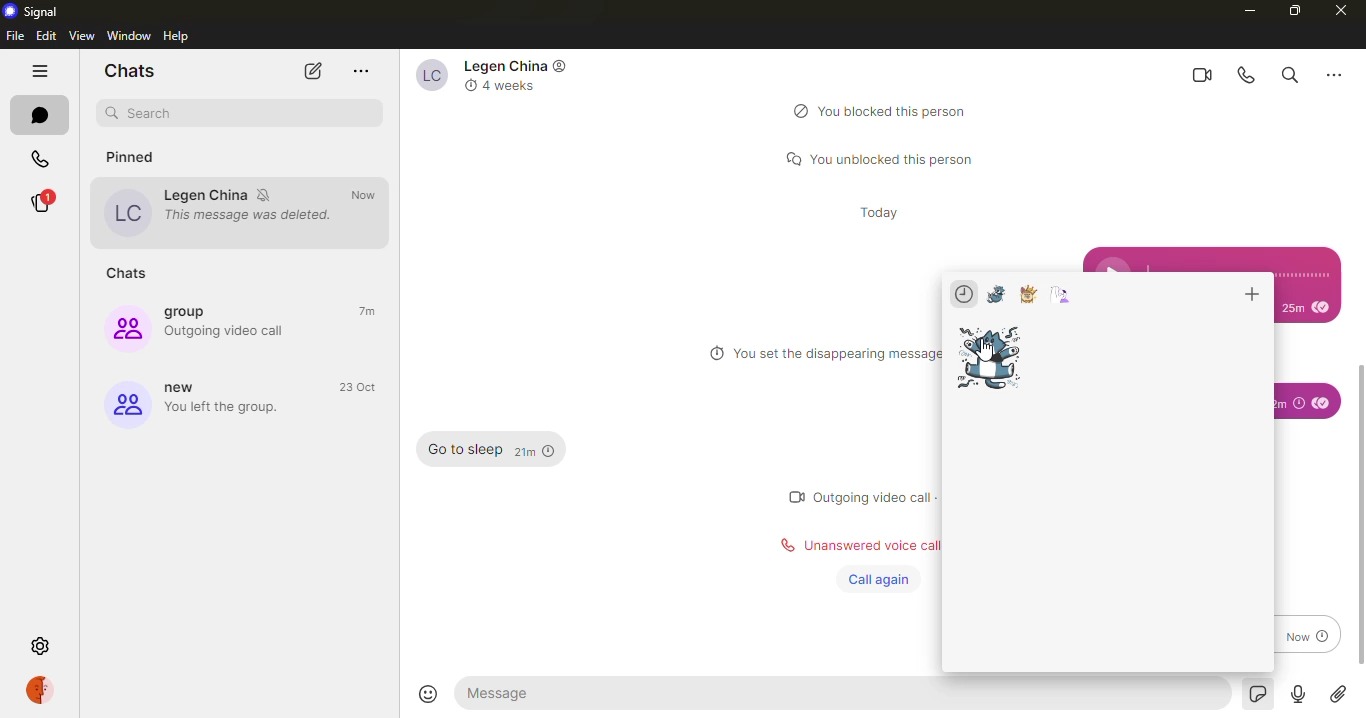  I want to click on call logo, so click(781, 547).